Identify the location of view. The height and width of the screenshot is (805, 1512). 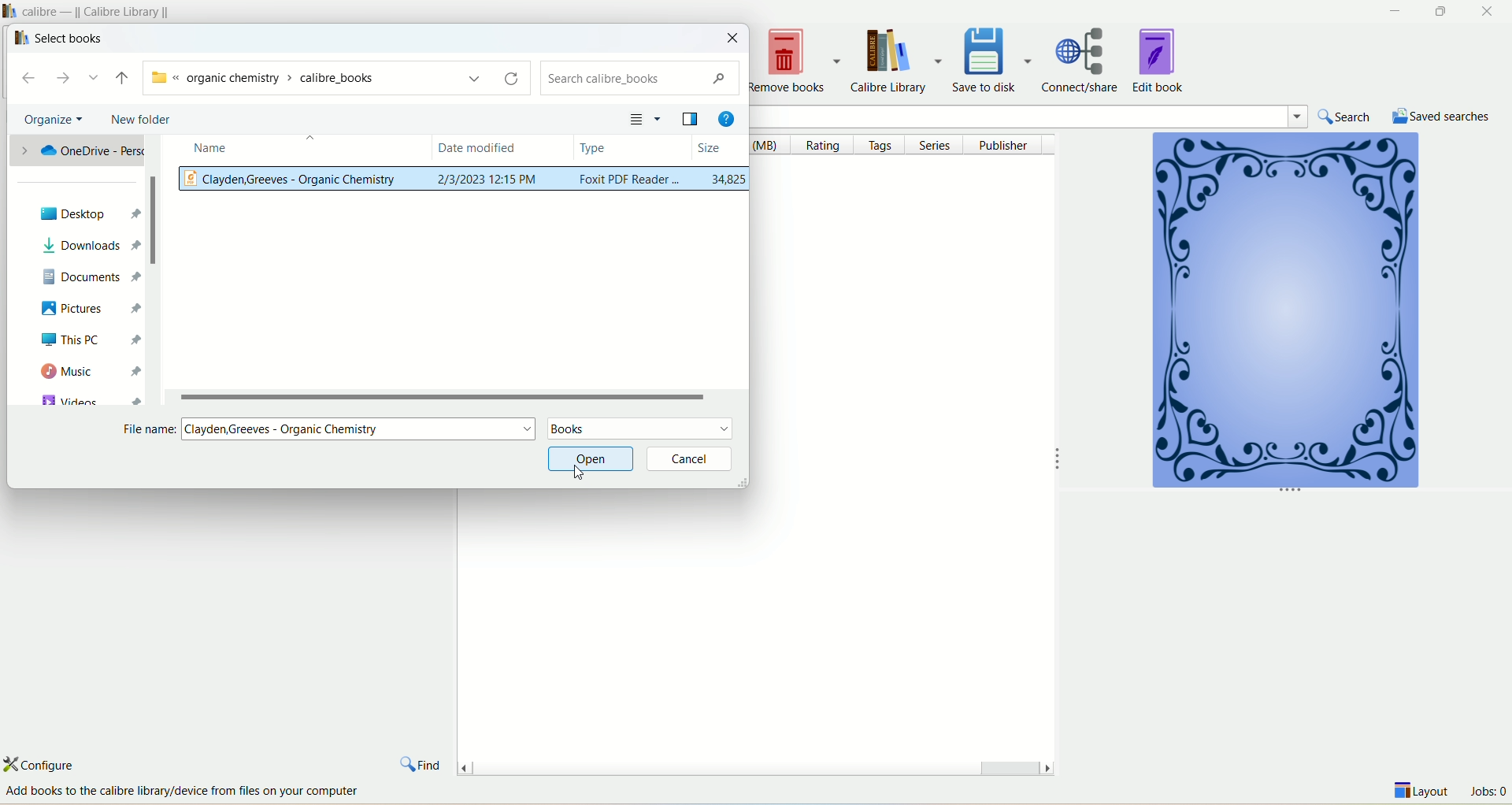
(644, 117).